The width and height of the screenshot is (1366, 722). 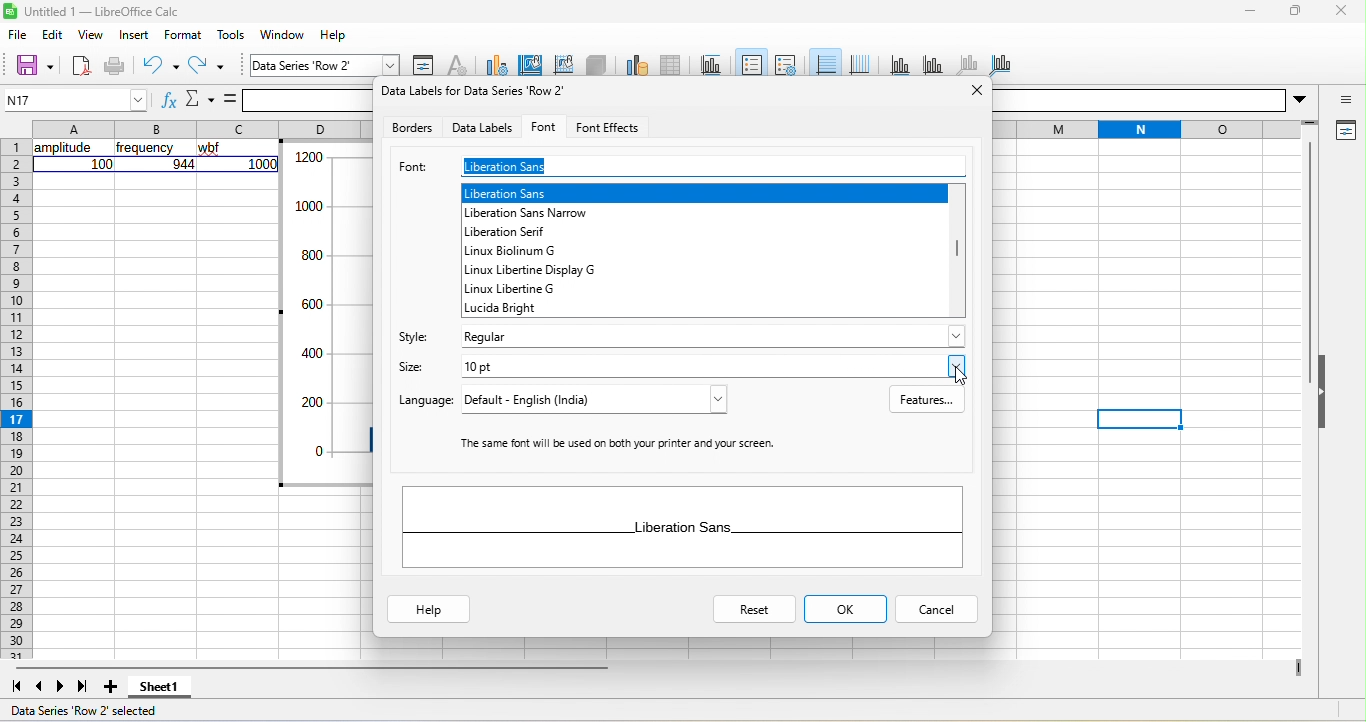 I want to click on x axis, so click(x=903, y=62).